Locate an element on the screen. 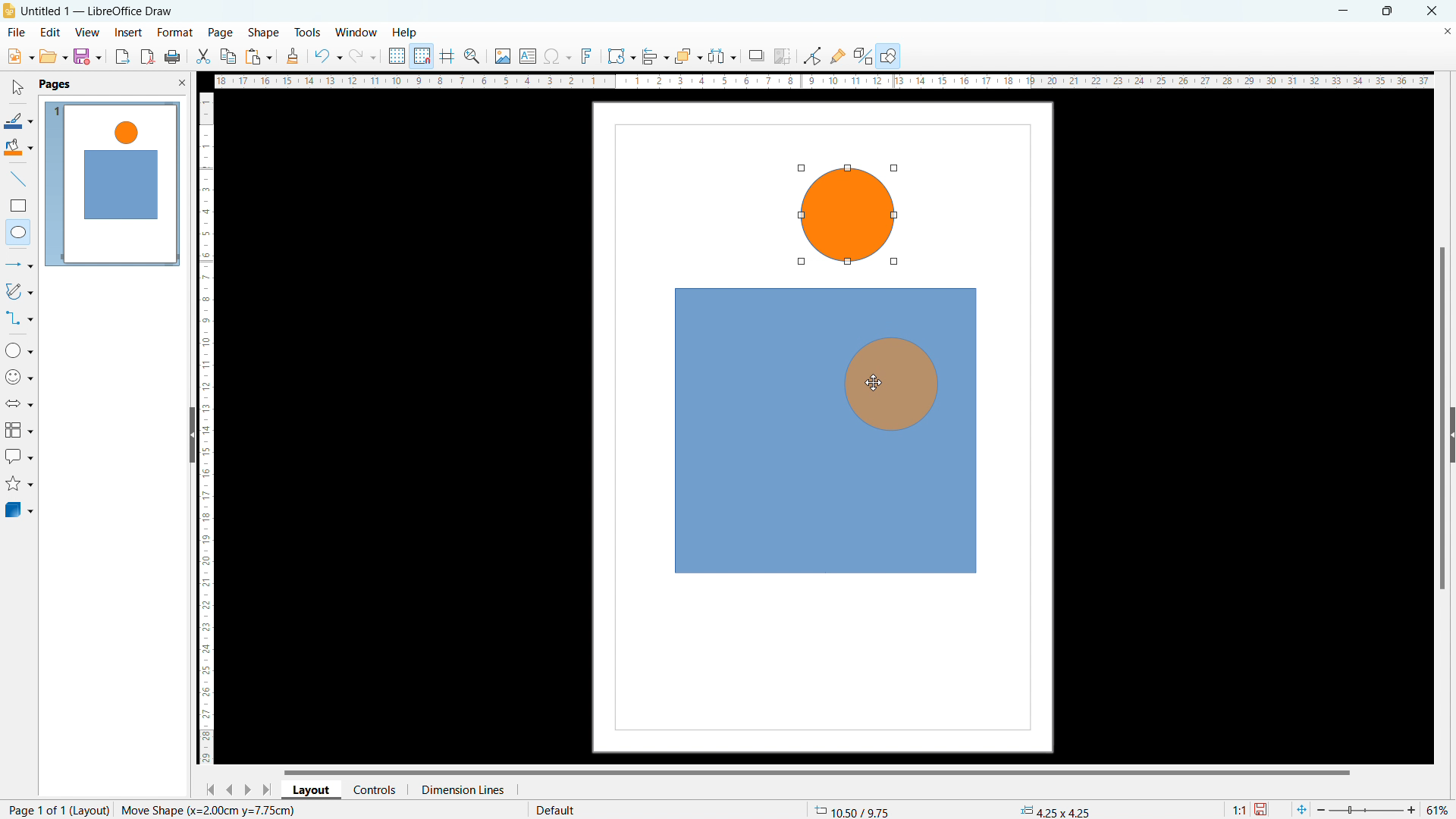 The image size is (1456, 819). current zoom level is located at coordinates (1439, 810).